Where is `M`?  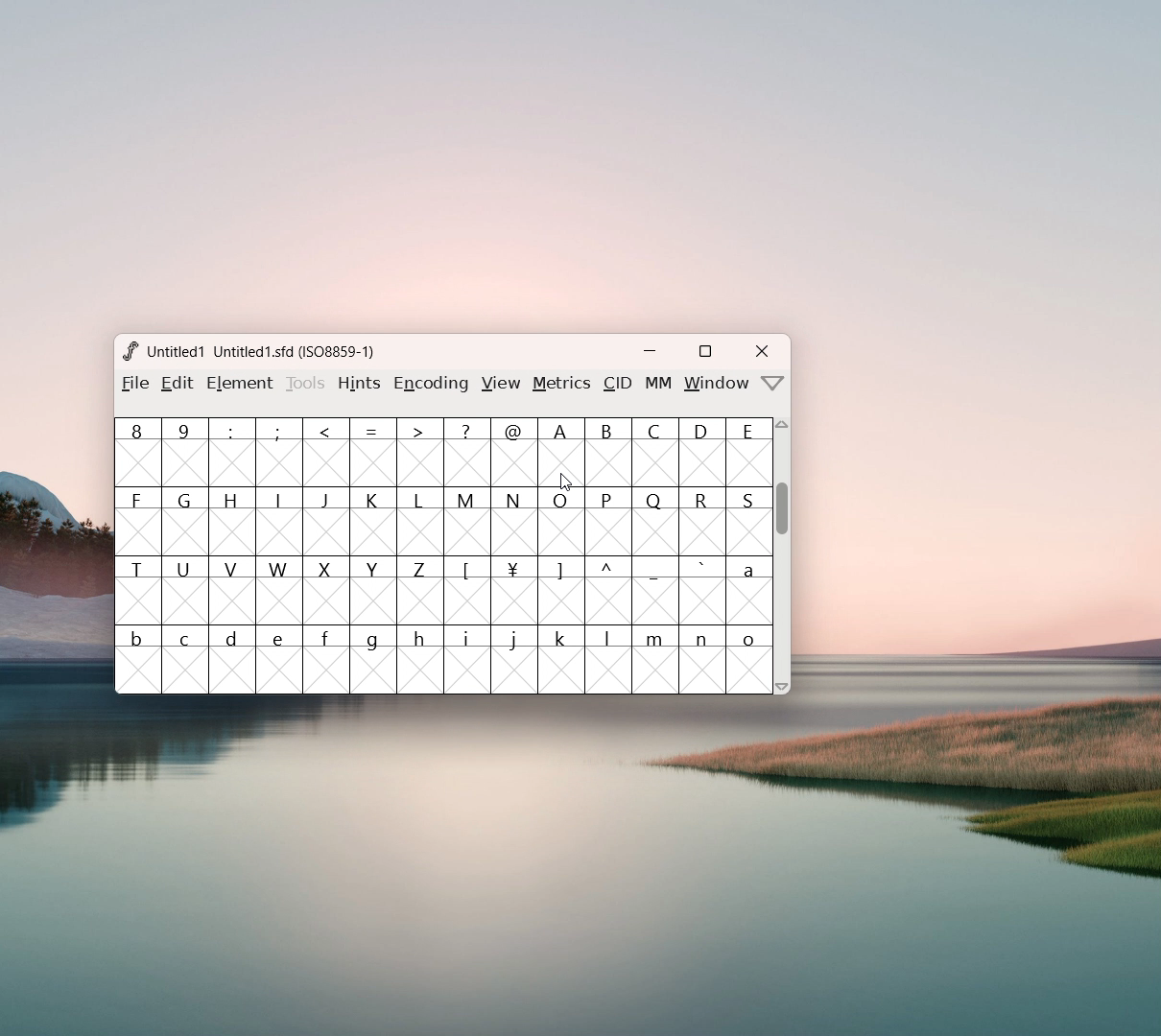 M is located at coordinates (468, 523).